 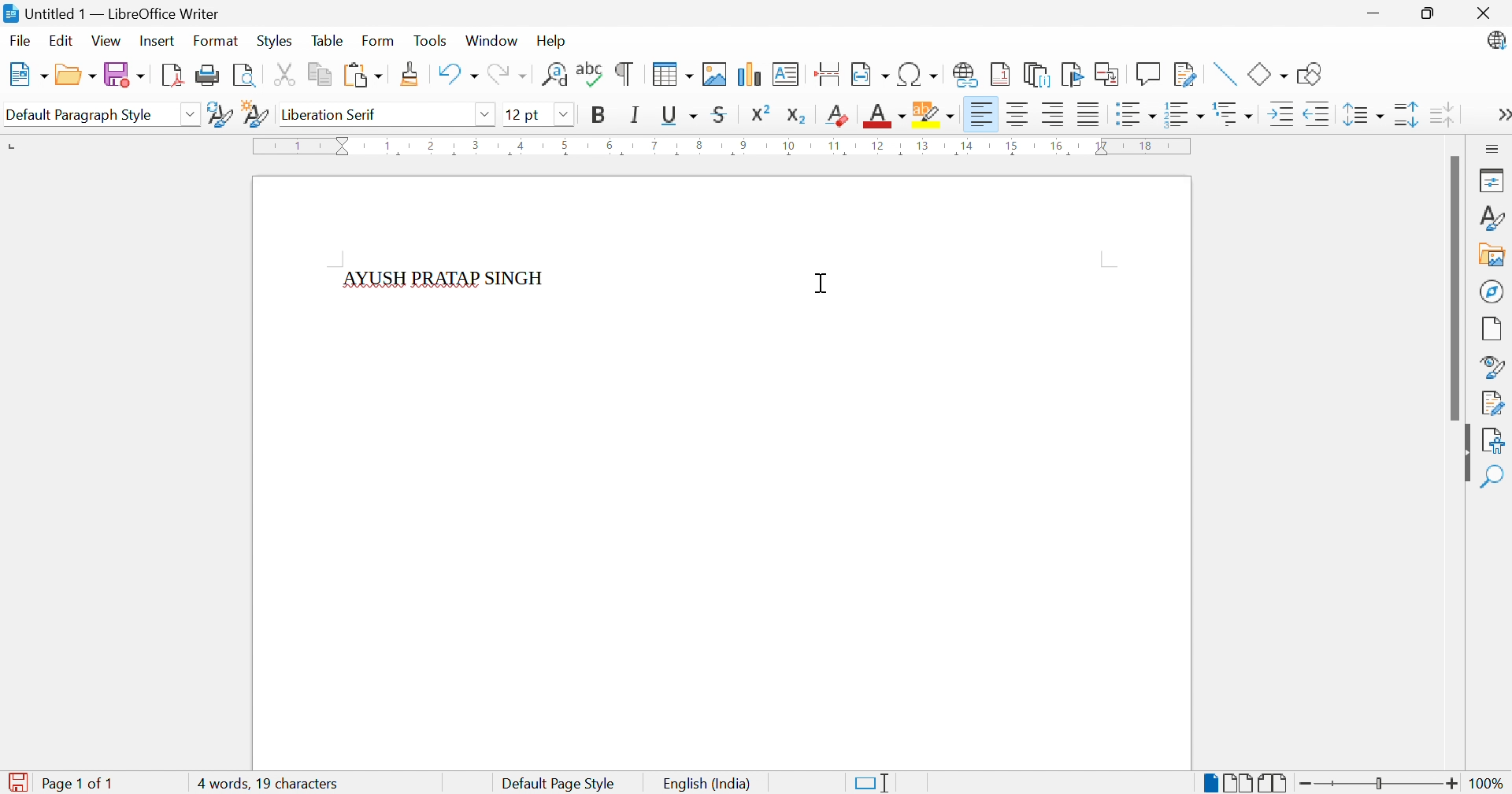 I want to click on Export as PDF, so click(x=171, y=76).